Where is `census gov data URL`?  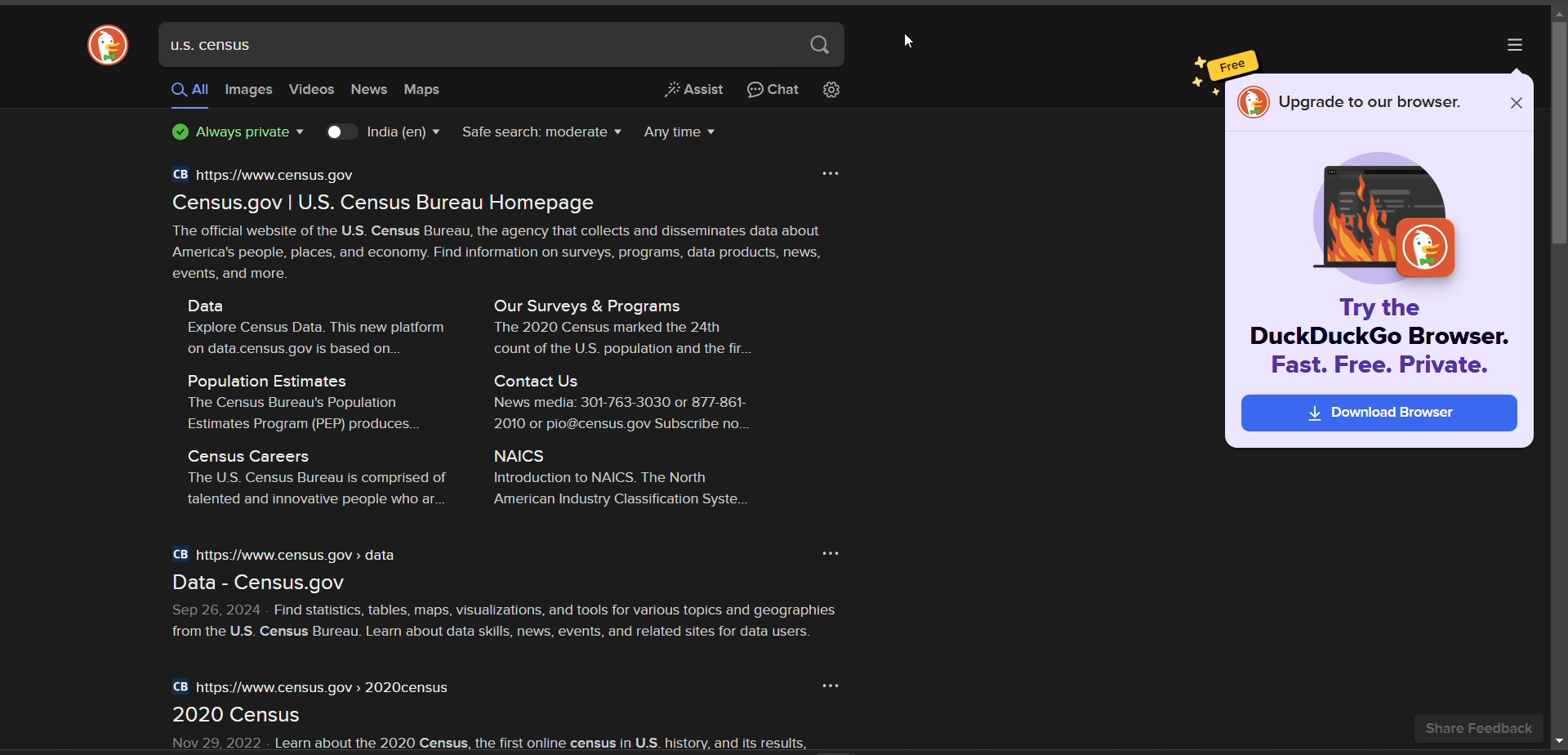 census gov data URL is located at coordinates (290, 556).